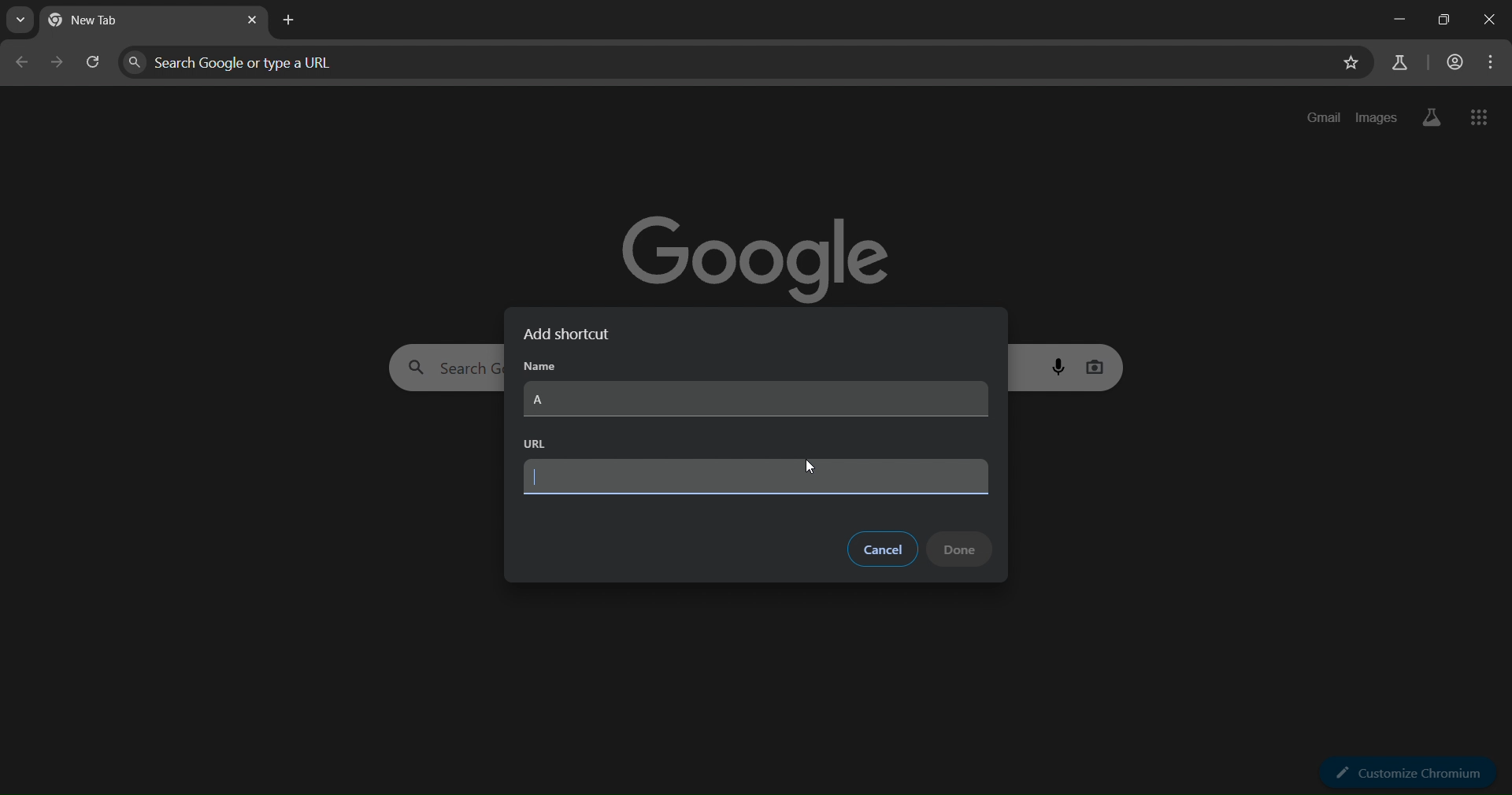 Image resolution: width=1512 pixels, height=795 pixels. I want to click on images, so click(1377, 115).